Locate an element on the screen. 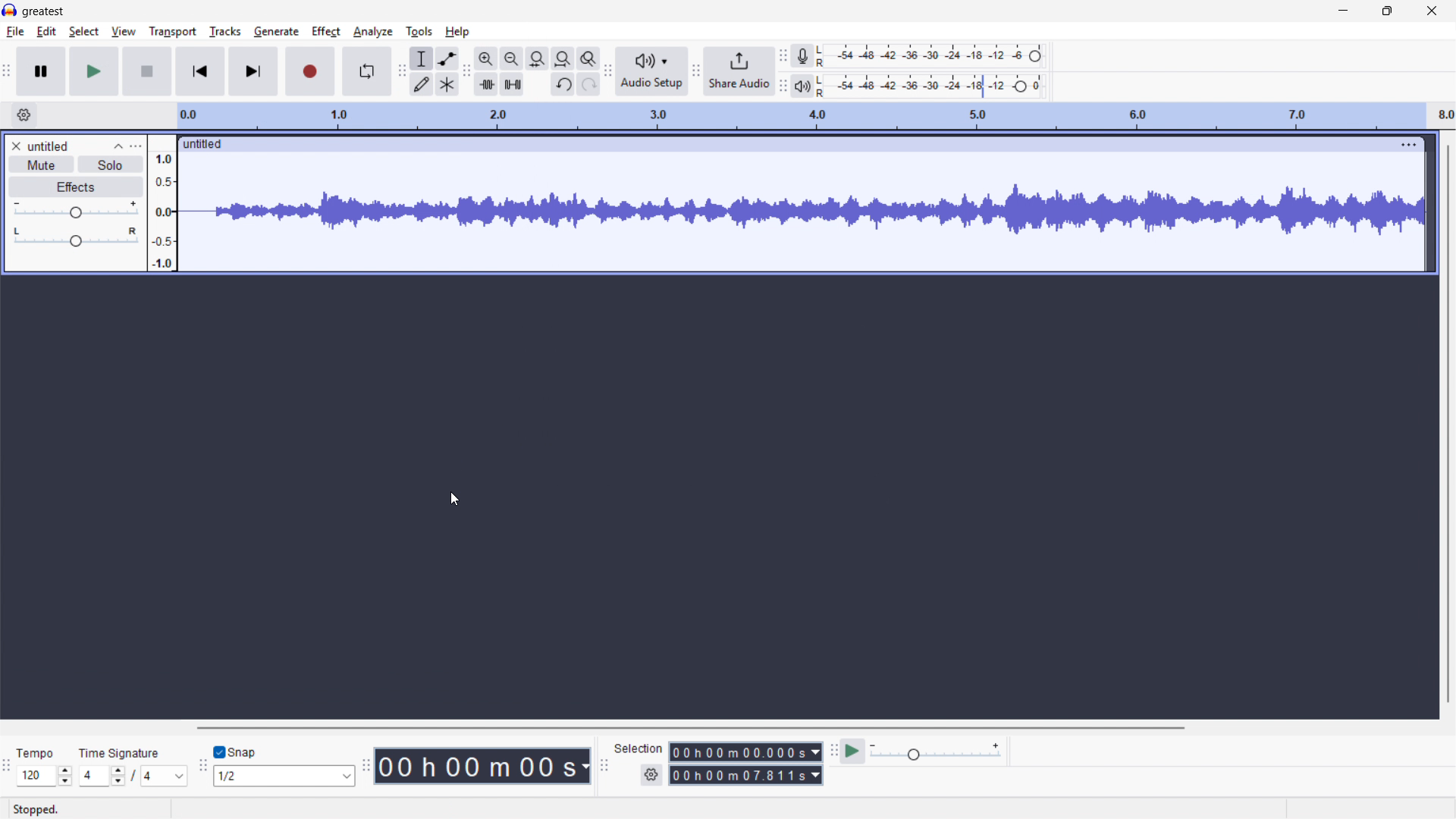  stop is located at coordinates (149, 71).